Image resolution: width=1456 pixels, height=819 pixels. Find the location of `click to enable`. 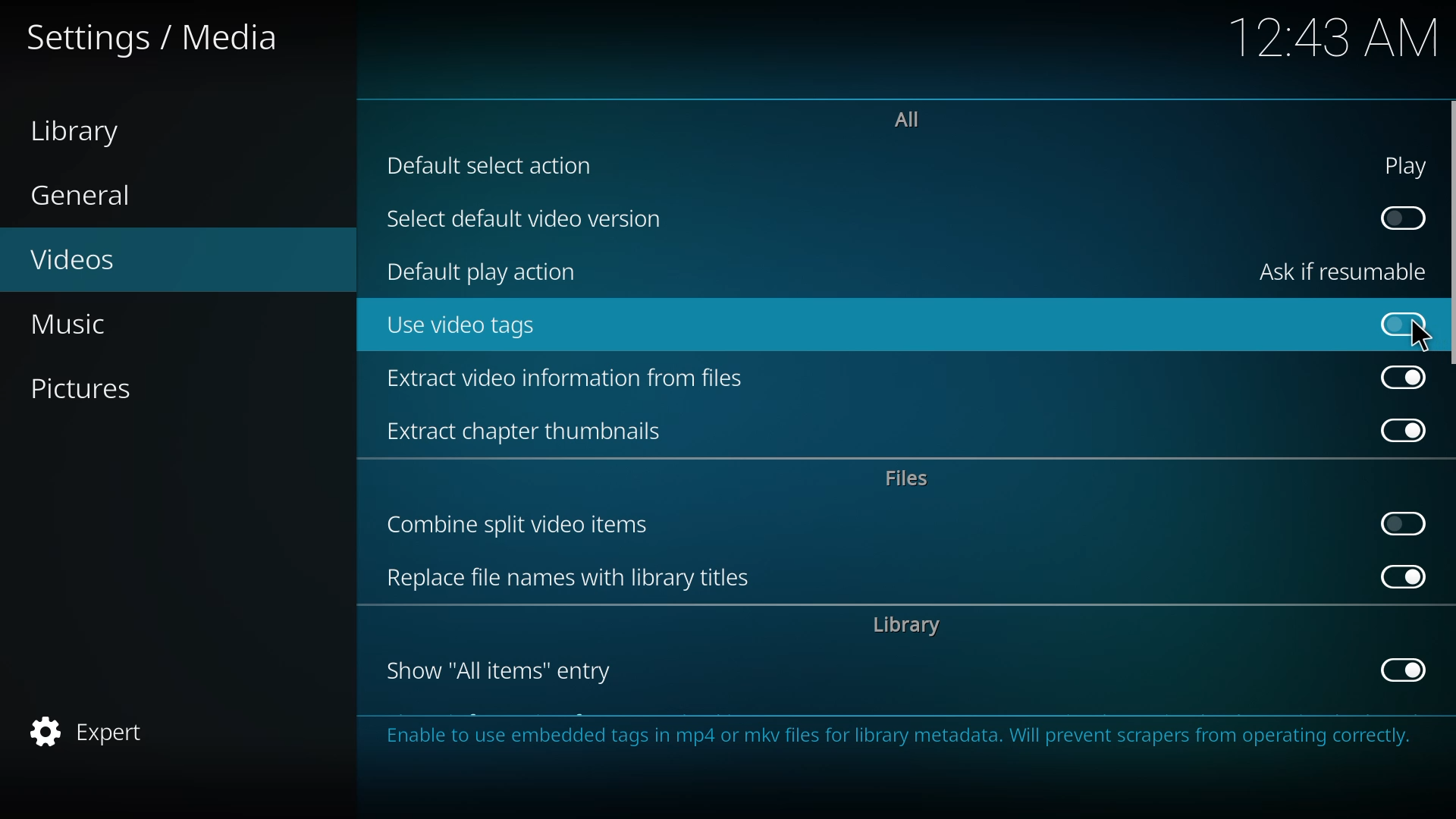

click to enable is located at coordinates (1404, 324).